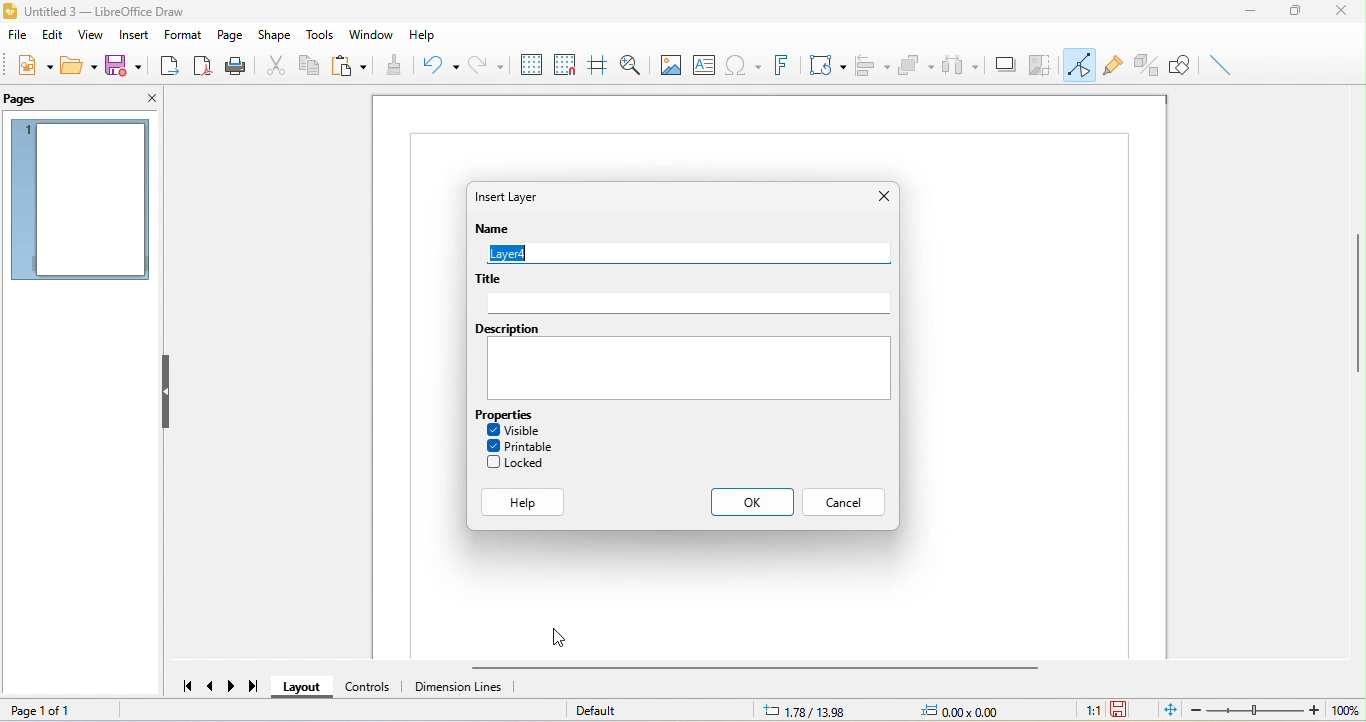 This screenshot has width=1366, height=722. Describe the element at coordinates (1004, 65) in the screenshot. I see `shadow` at that location.